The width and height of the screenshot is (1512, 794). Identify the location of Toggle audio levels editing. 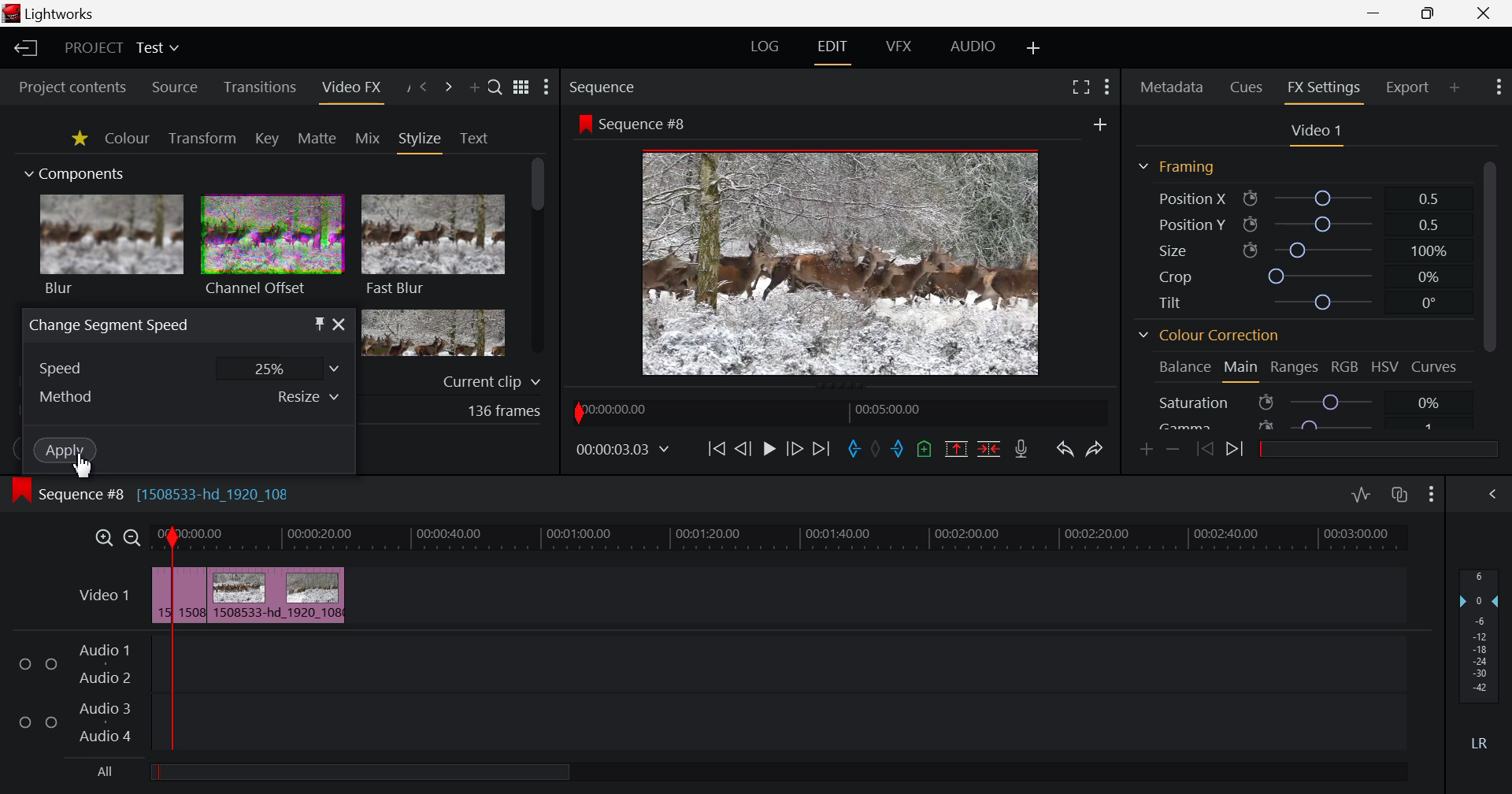
(1361, 495).